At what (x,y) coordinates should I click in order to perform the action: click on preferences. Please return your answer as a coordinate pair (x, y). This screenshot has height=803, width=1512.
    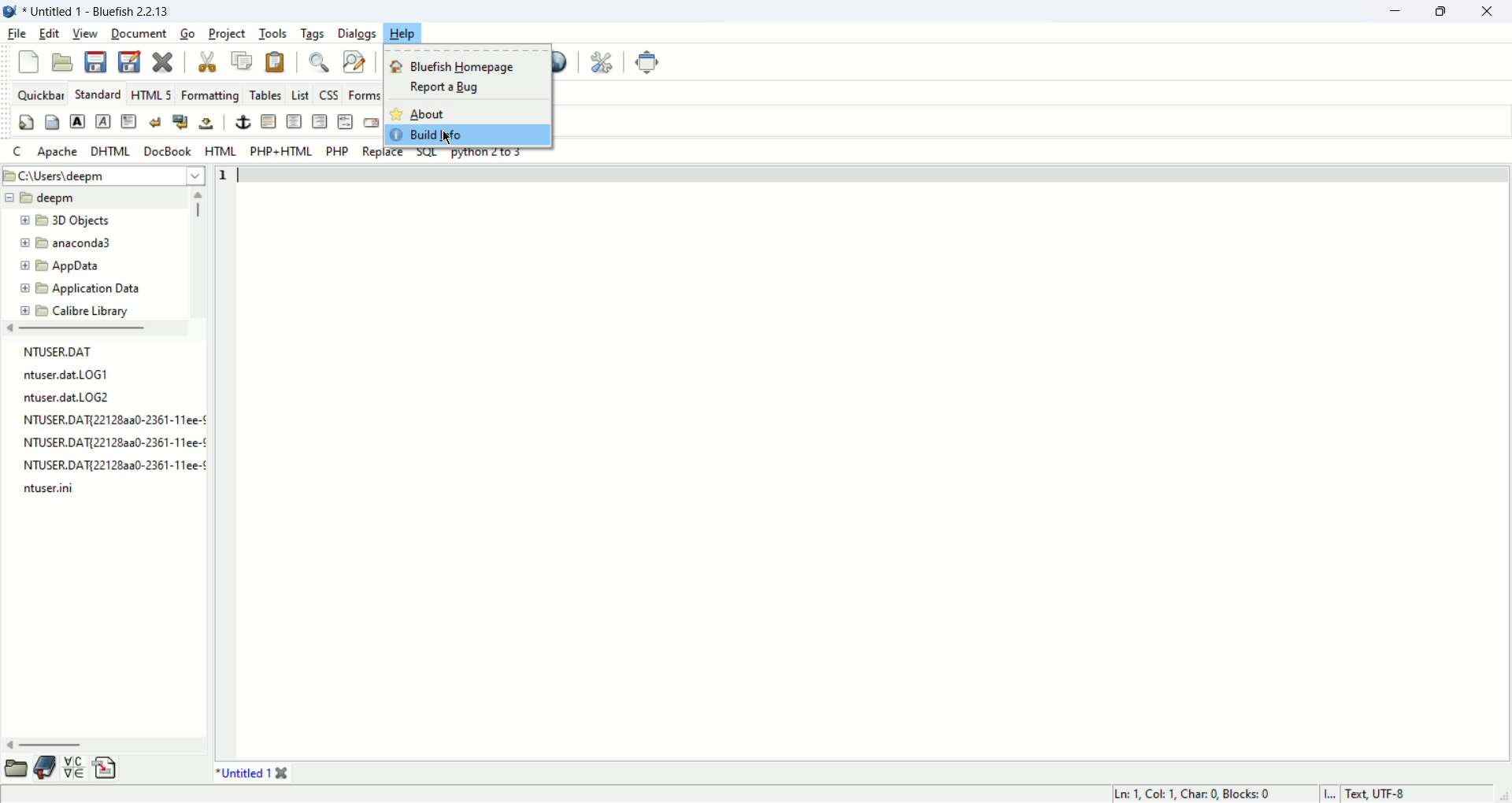
    Looking at the image, I should click on (603, 62).